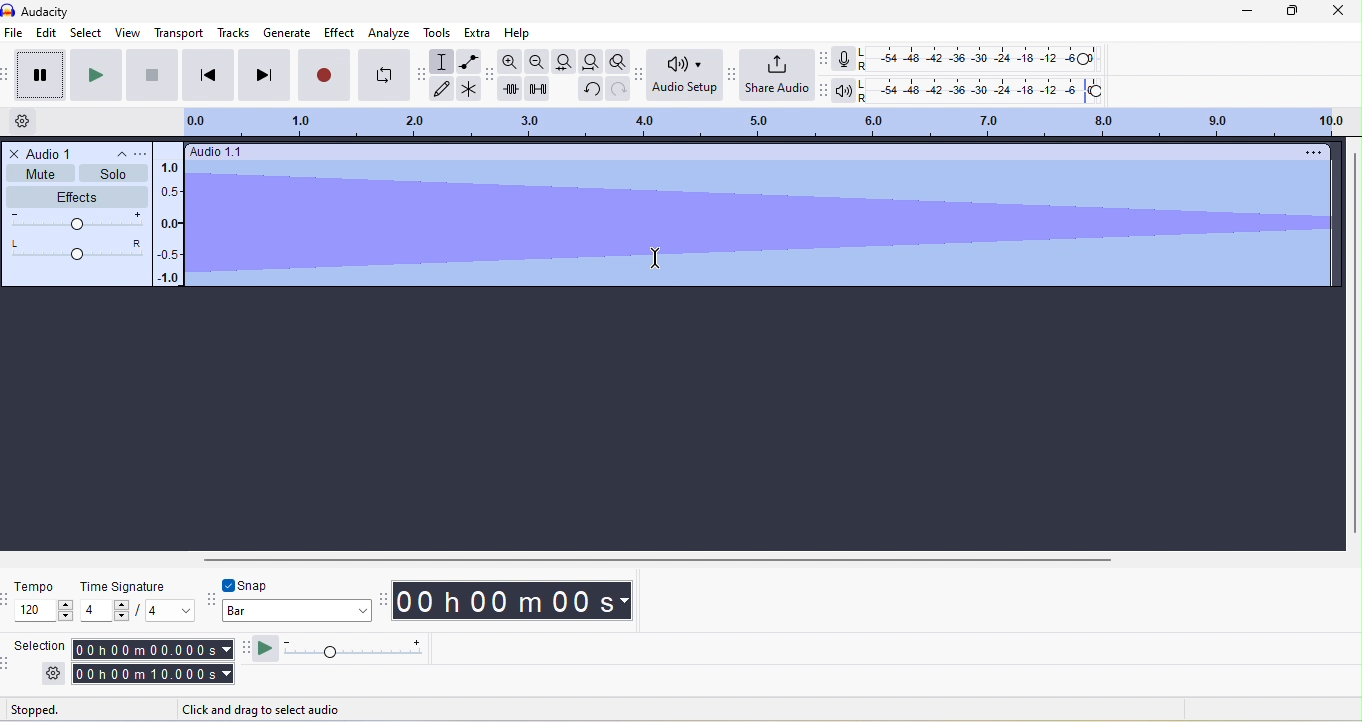 The width and height of the screenshot is (1362, 722). Describe the element at coordinates (298, 613) in the screenshot. I see `bar` at that location.